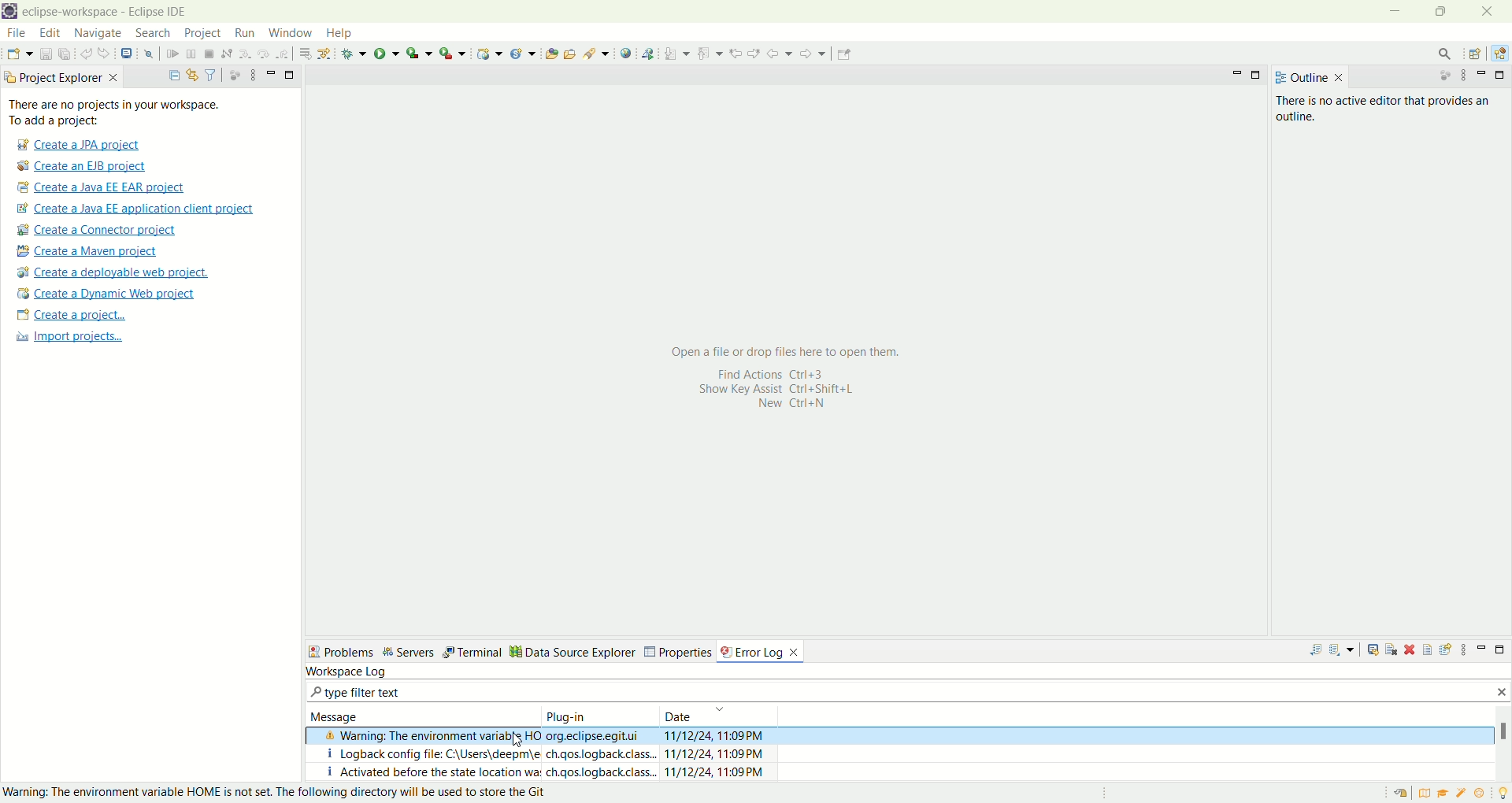 The image size is (1512, 803). I want to click on vertical scroll bar, so click(1503, 742).